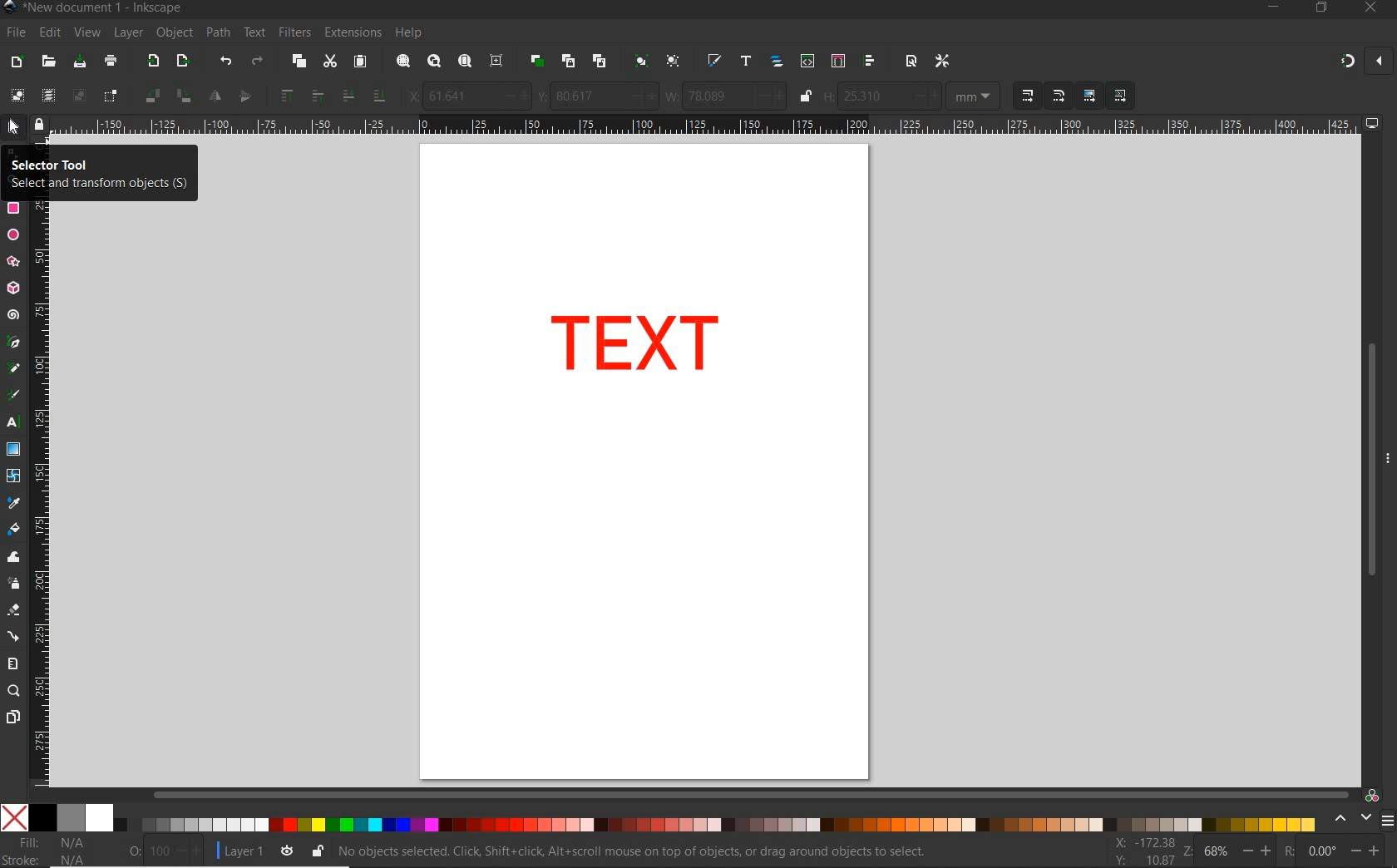 The width and height of the screenshot is (1397, 868). I want to click on zoom center page, so click(500, 60).